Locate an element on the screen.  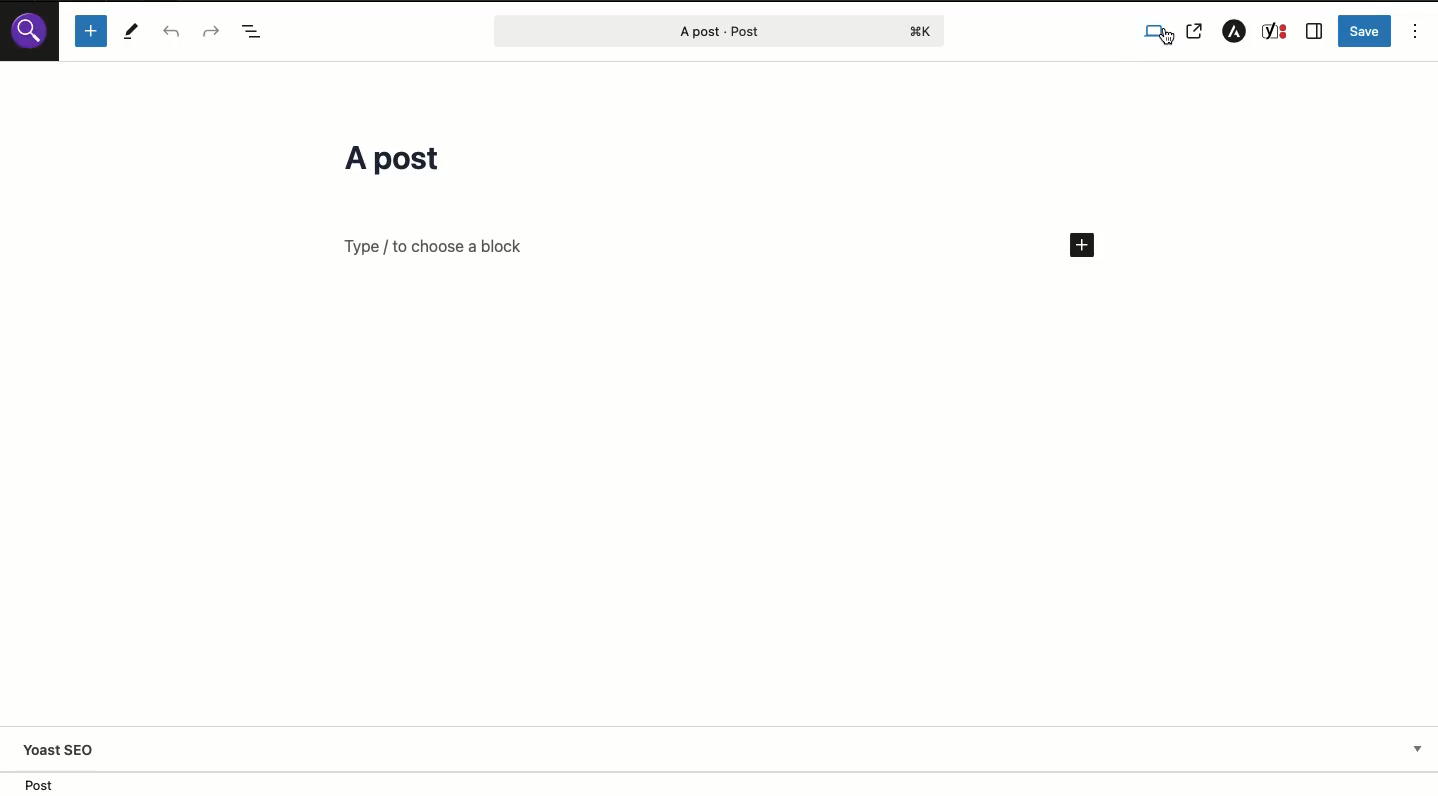
Post is located at coordinates (708, 31).